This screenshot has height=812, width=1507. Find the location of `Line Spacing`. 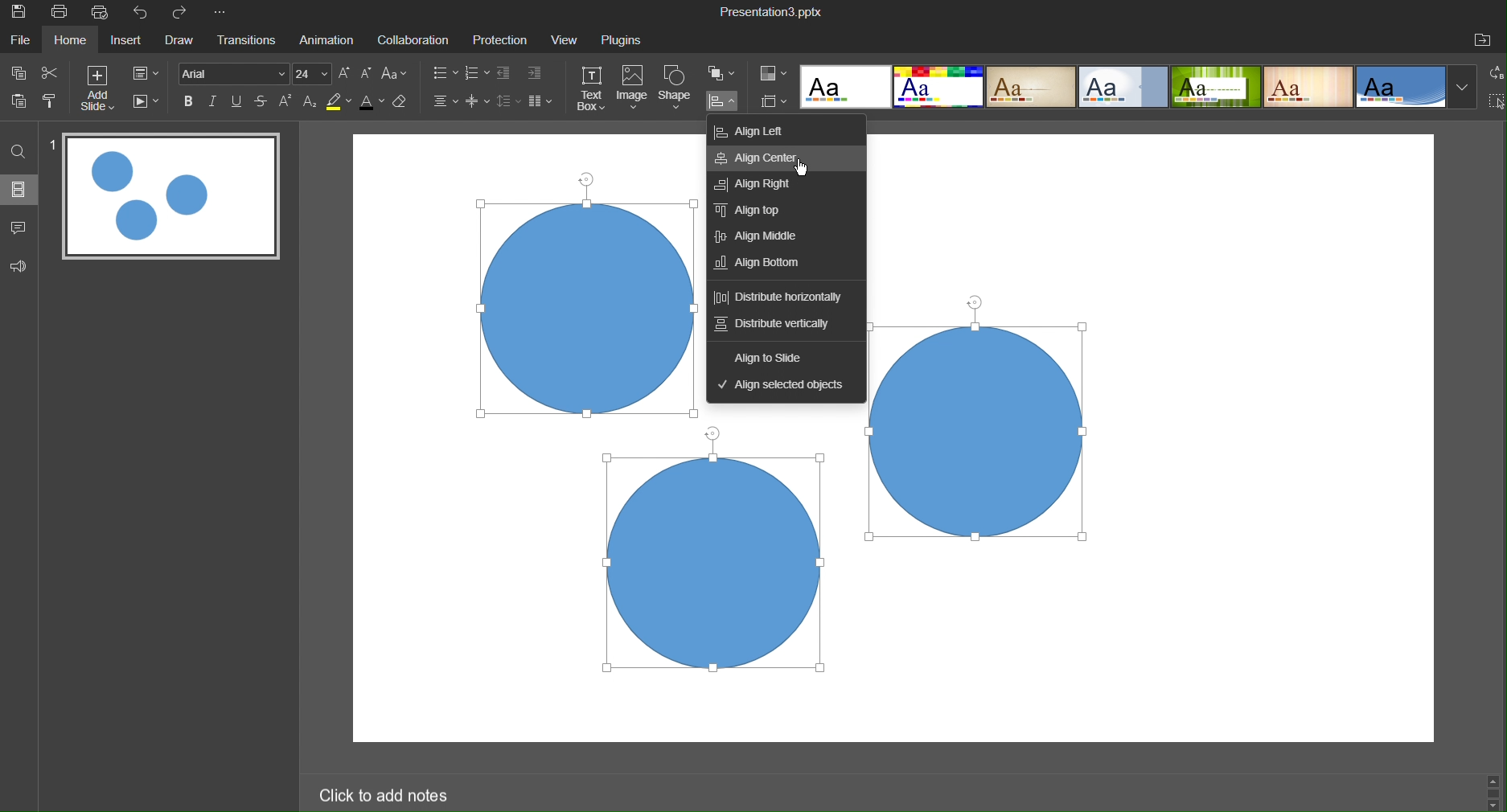

Line Spacing is located at coordinates (507, 101).